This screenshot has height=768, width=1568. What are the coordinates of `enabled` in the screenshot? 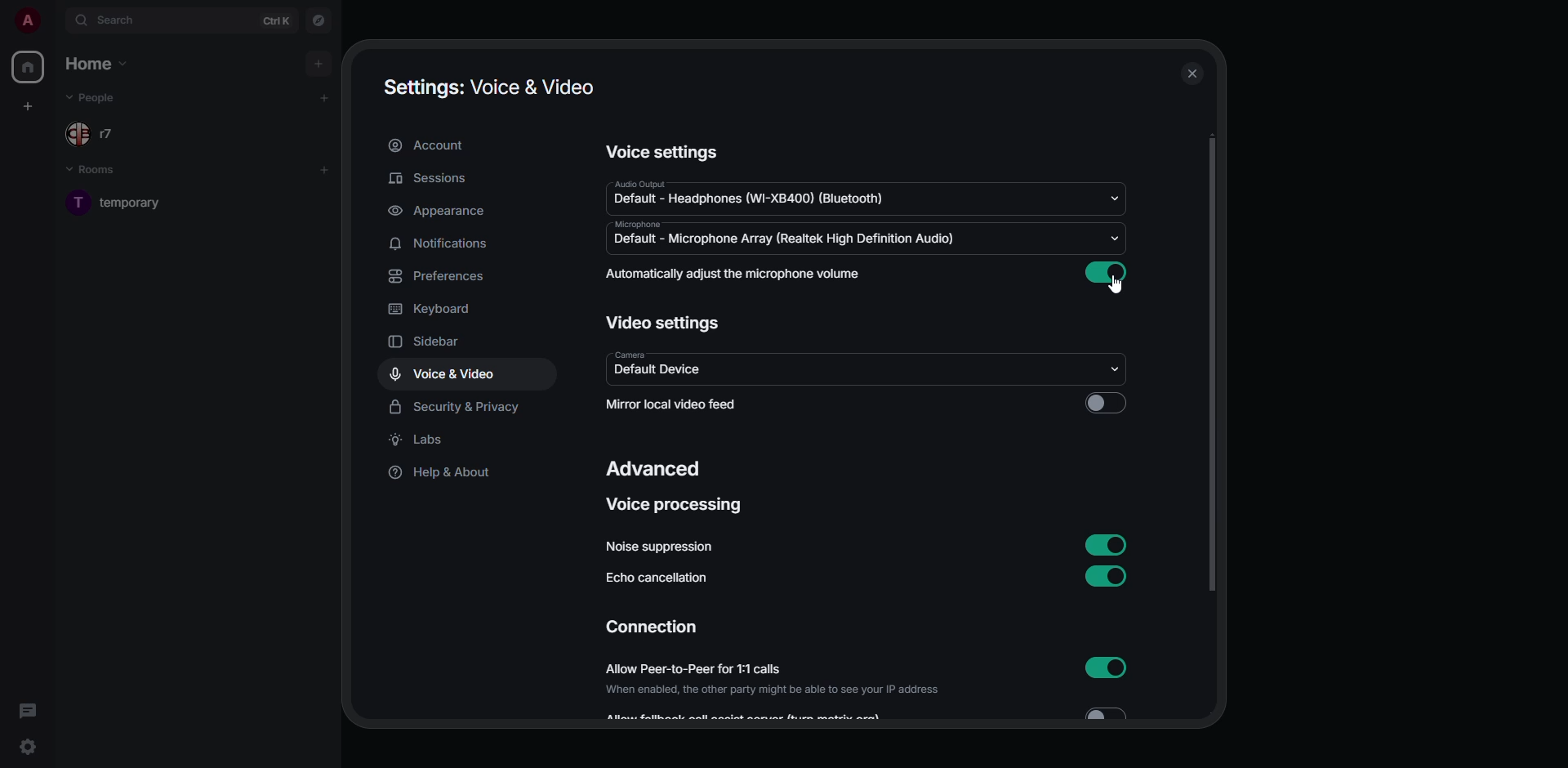 It's located at (1109, 274).